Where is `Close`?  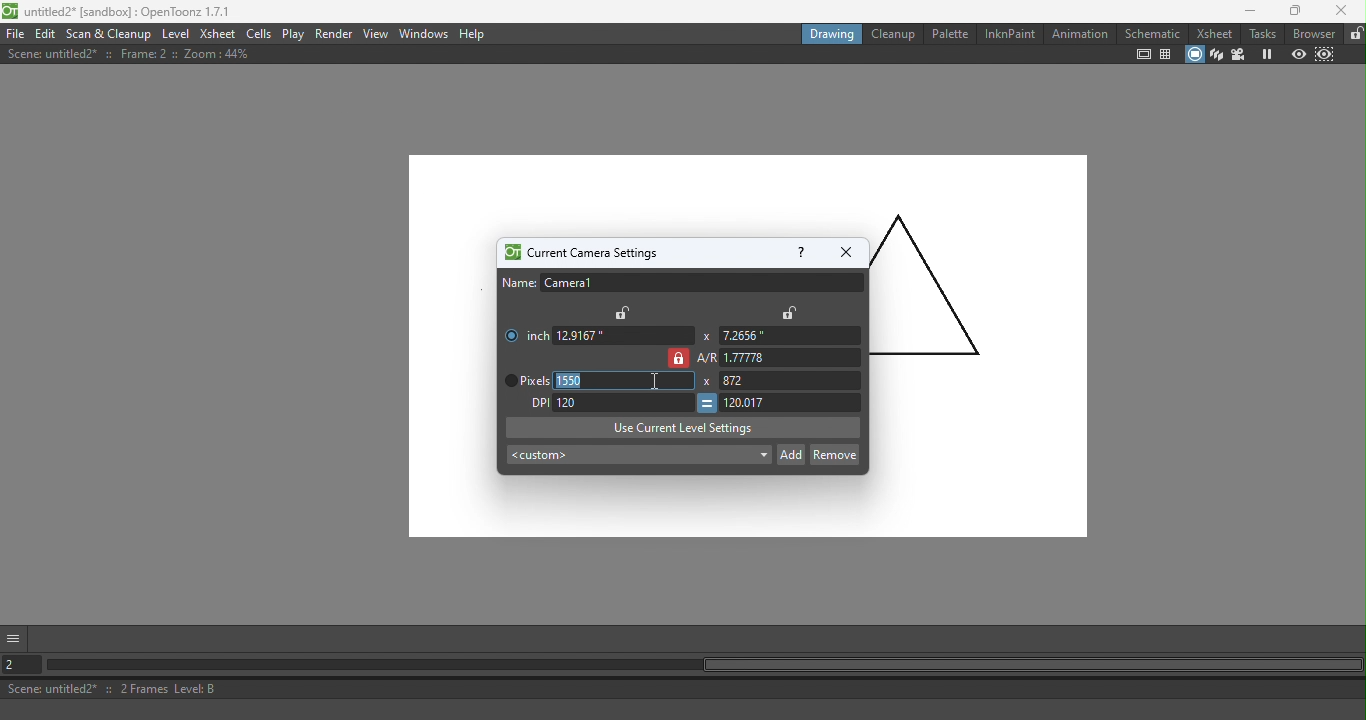 Close is located at coordinates (845, 252).